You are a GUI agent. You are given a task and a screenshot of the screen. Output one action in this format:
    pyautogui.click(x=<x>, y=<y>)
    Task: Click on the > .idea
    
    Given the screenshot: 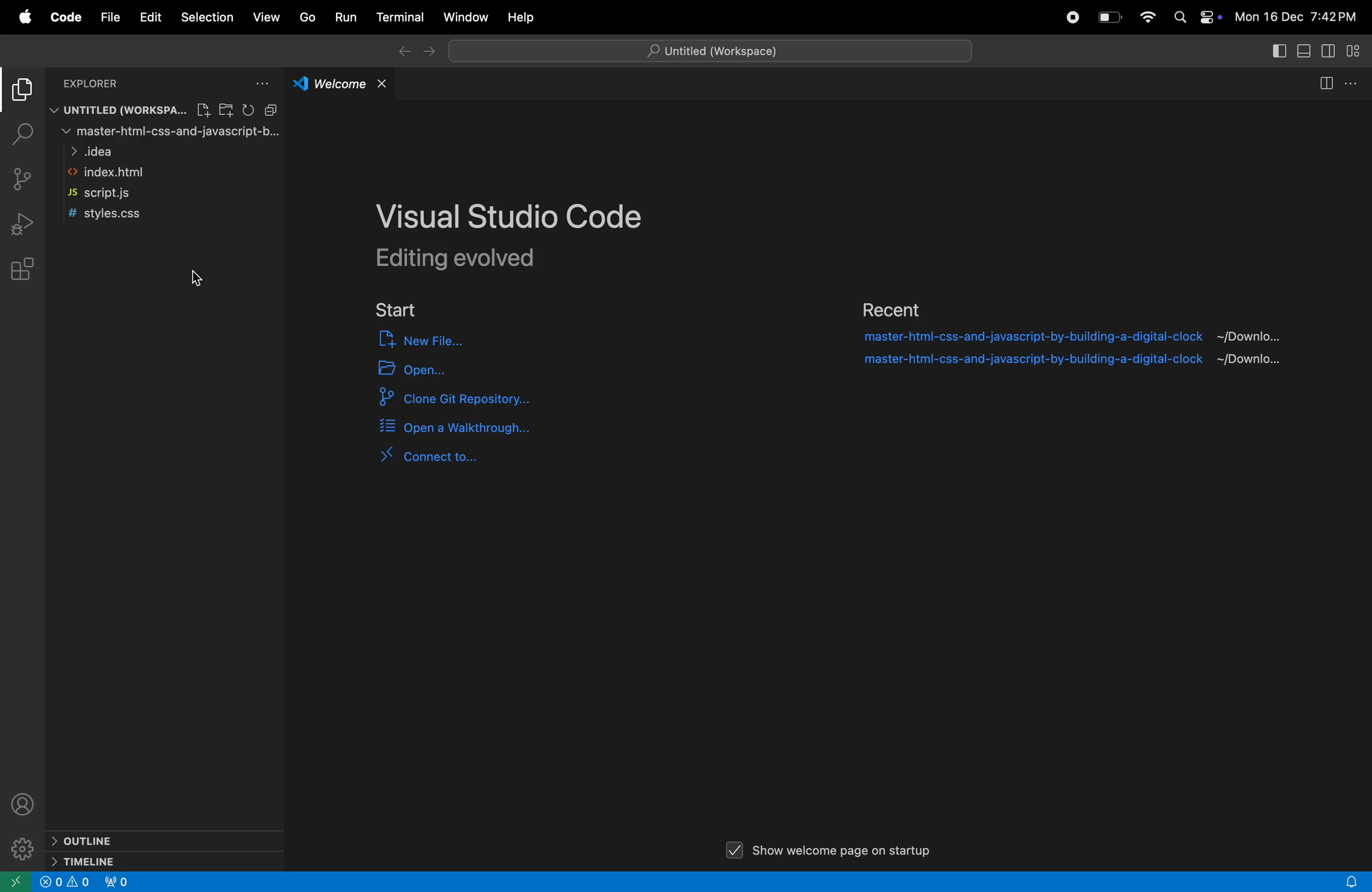 What is the action you would take?
    pyautogui.click(x=94, y=151)
    